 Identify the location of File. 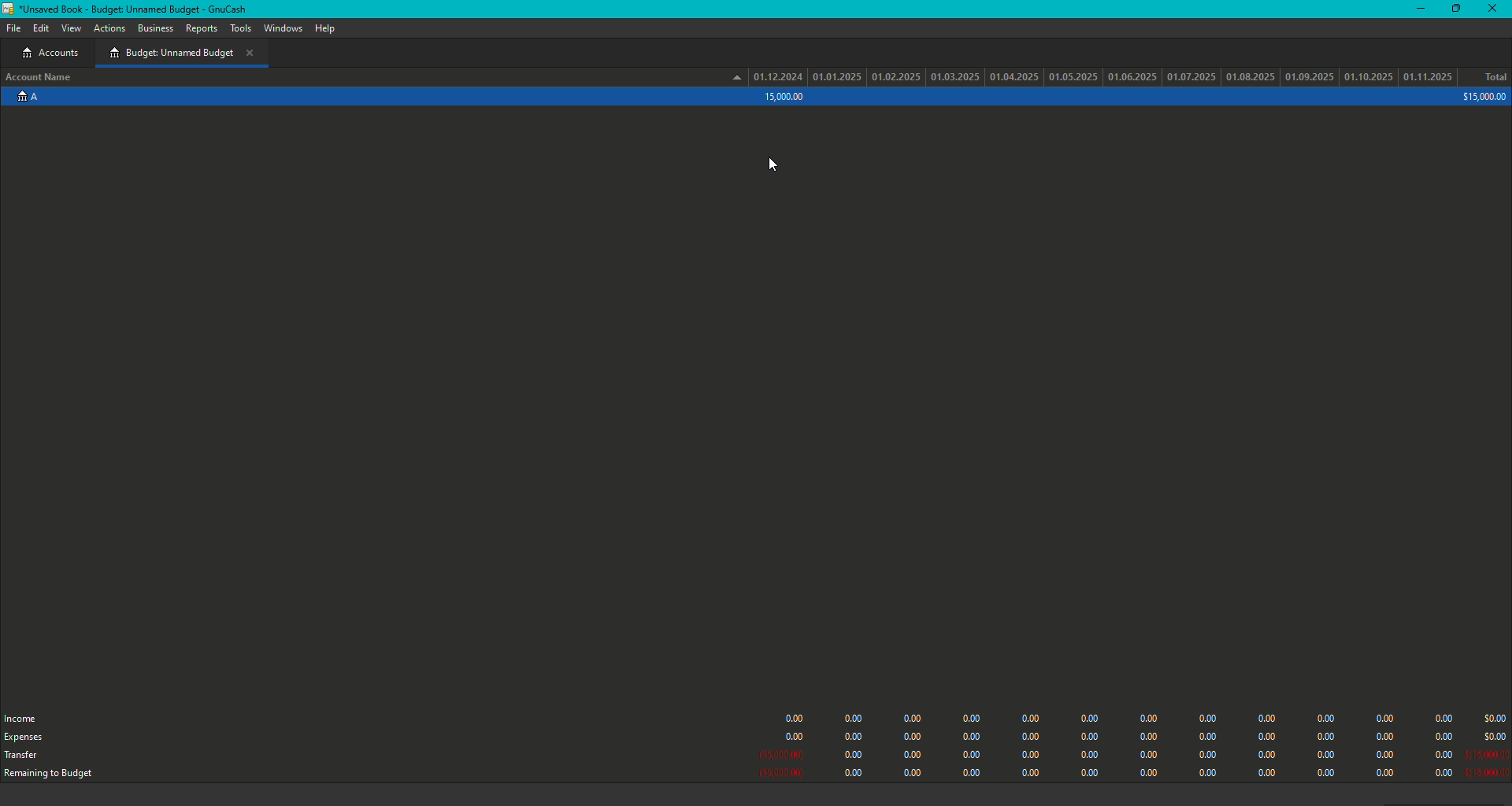
(12, 28).